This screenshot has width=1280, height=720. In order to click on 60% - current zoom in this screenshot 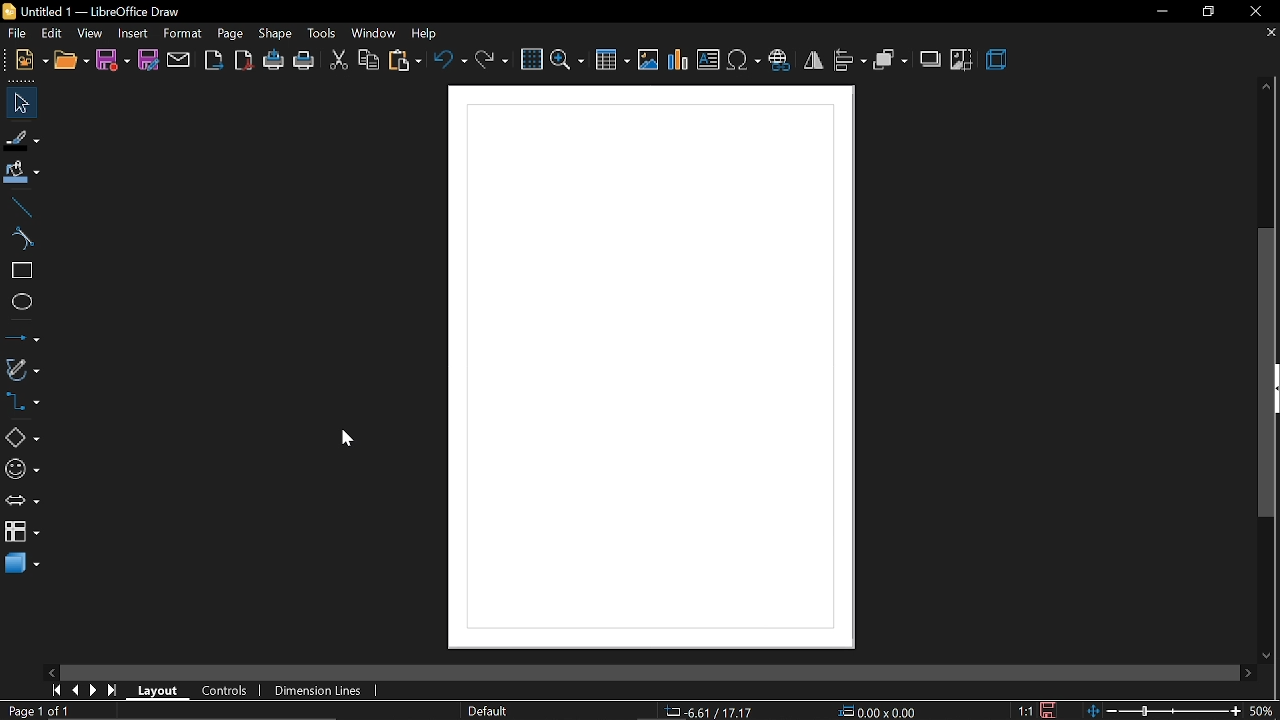, I will do `click(1265, 708)`.